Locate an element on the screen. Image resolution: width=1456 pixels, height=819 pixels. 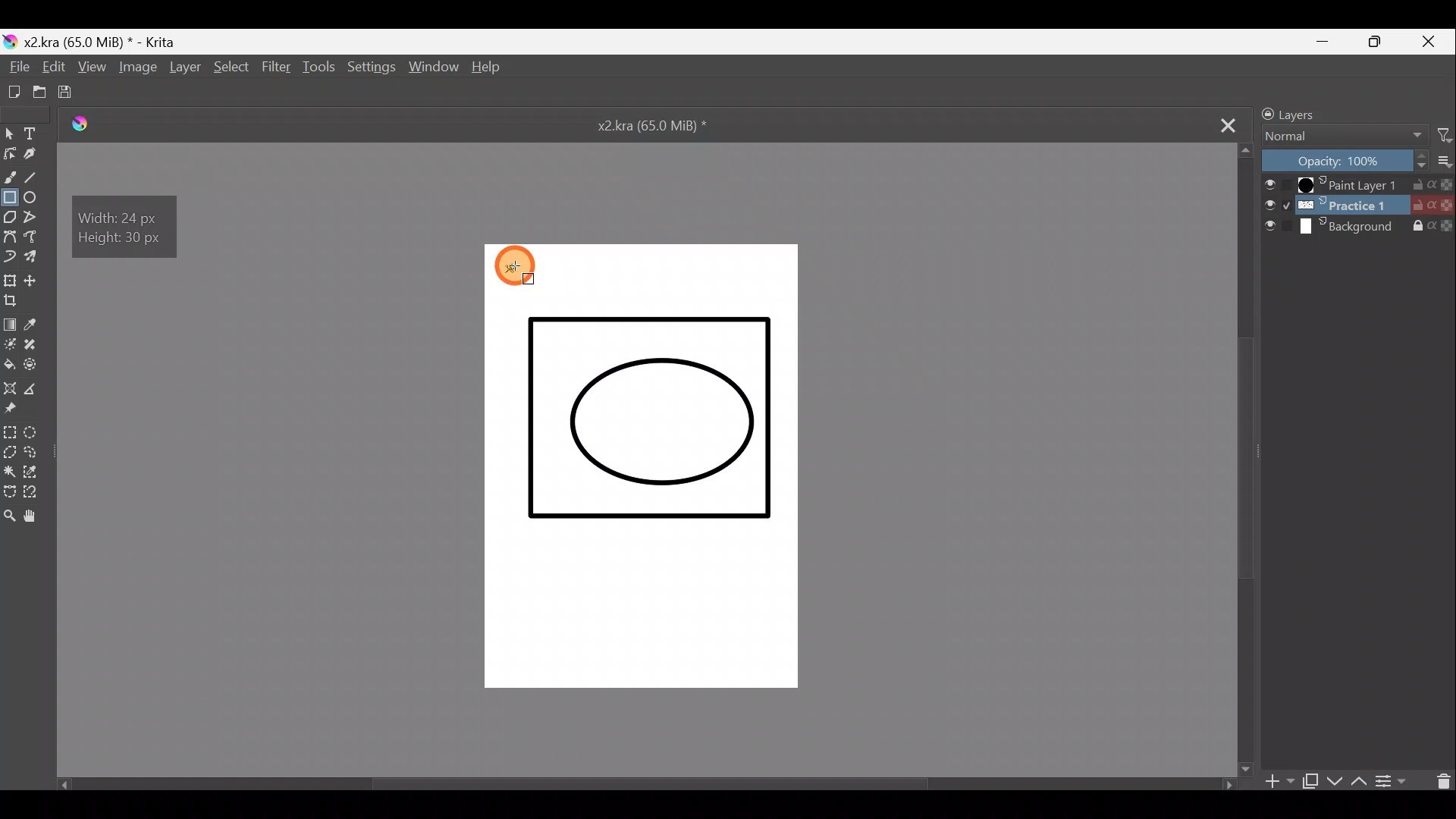
Select is located at coordinates (234, 68).